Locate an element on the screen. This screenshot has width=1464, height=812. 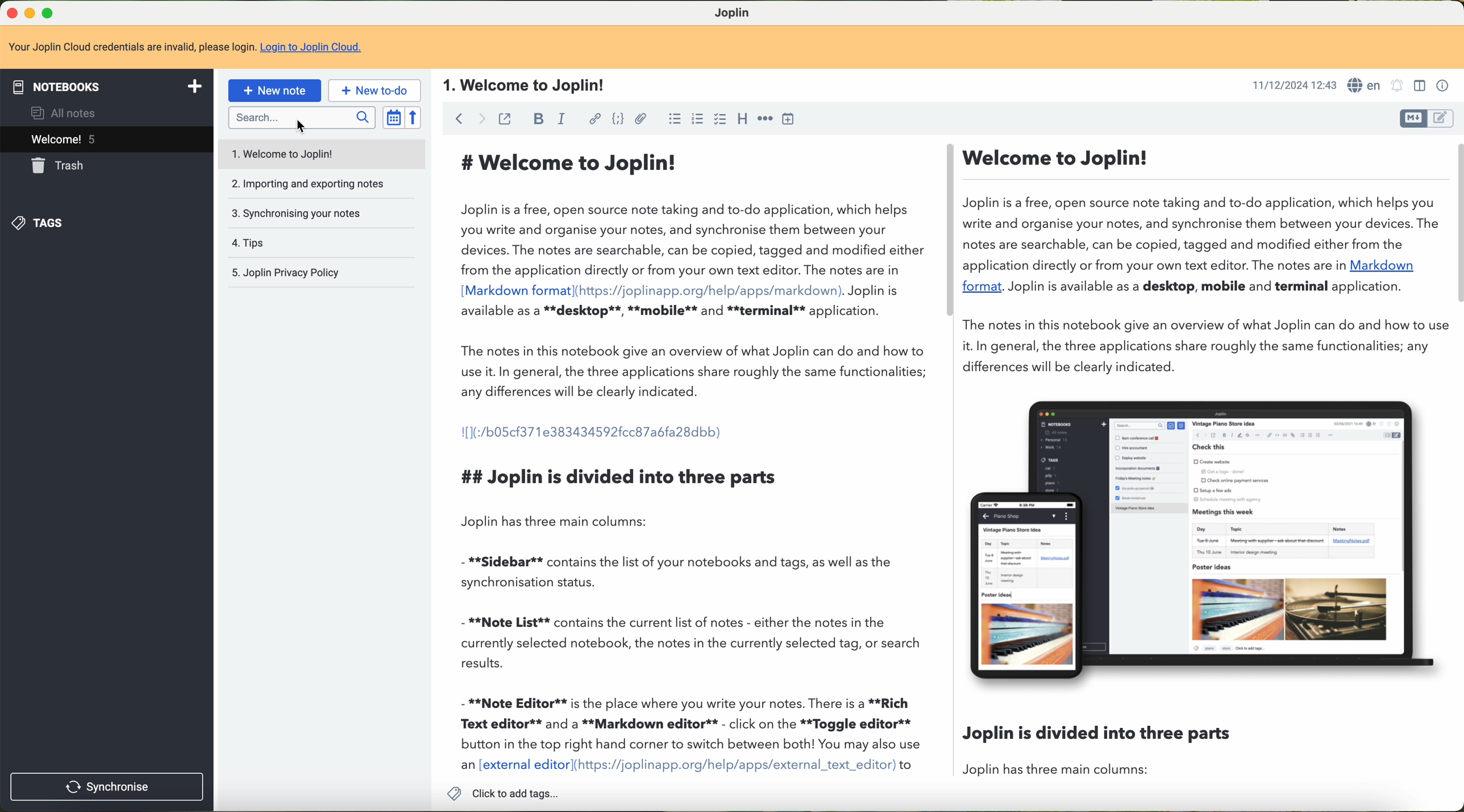
scroll bar is located at coordinates (949, 232).